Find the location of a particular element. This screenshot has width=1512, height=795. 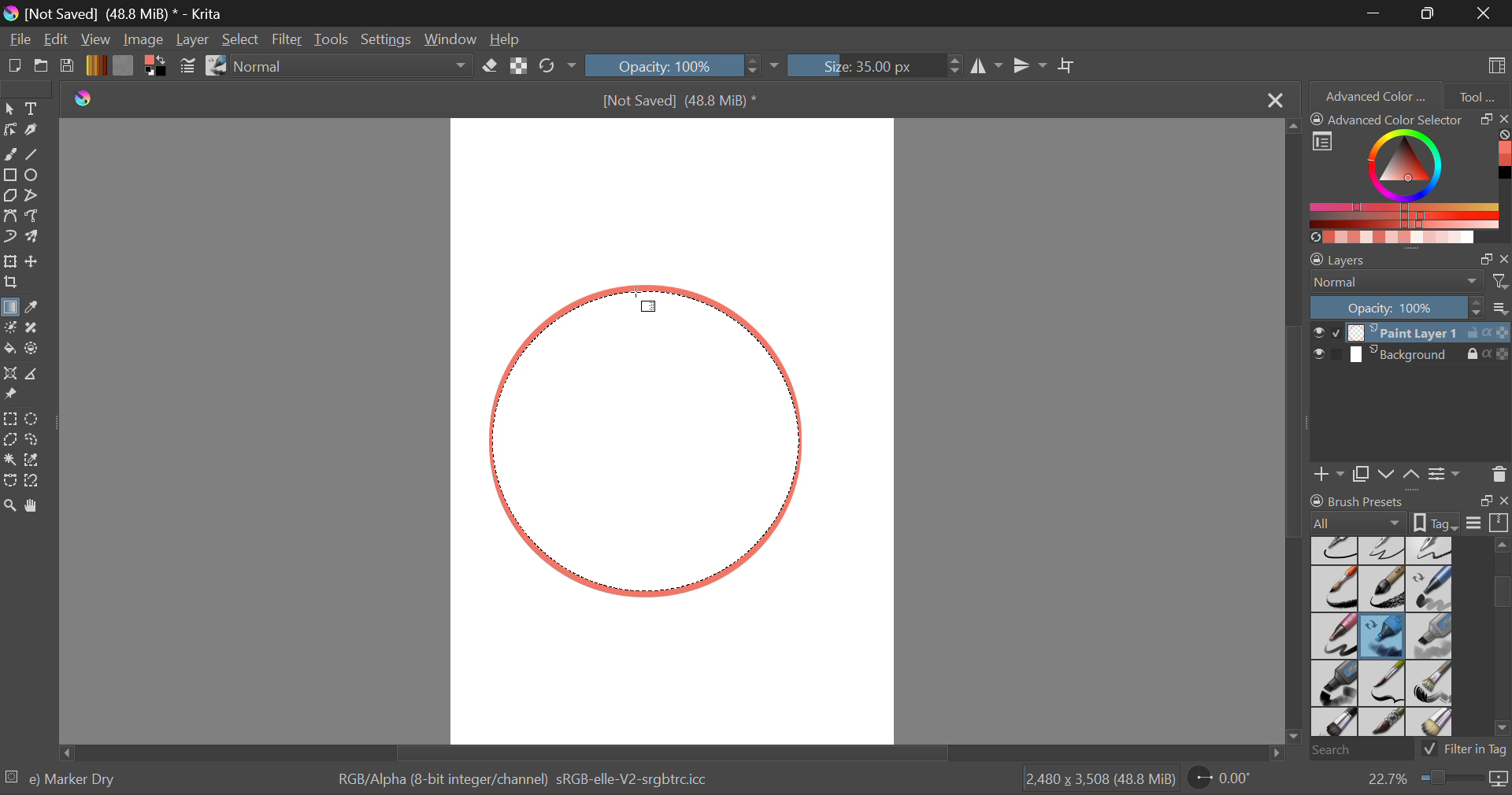

Gradient is located at coordinates (95, 65).